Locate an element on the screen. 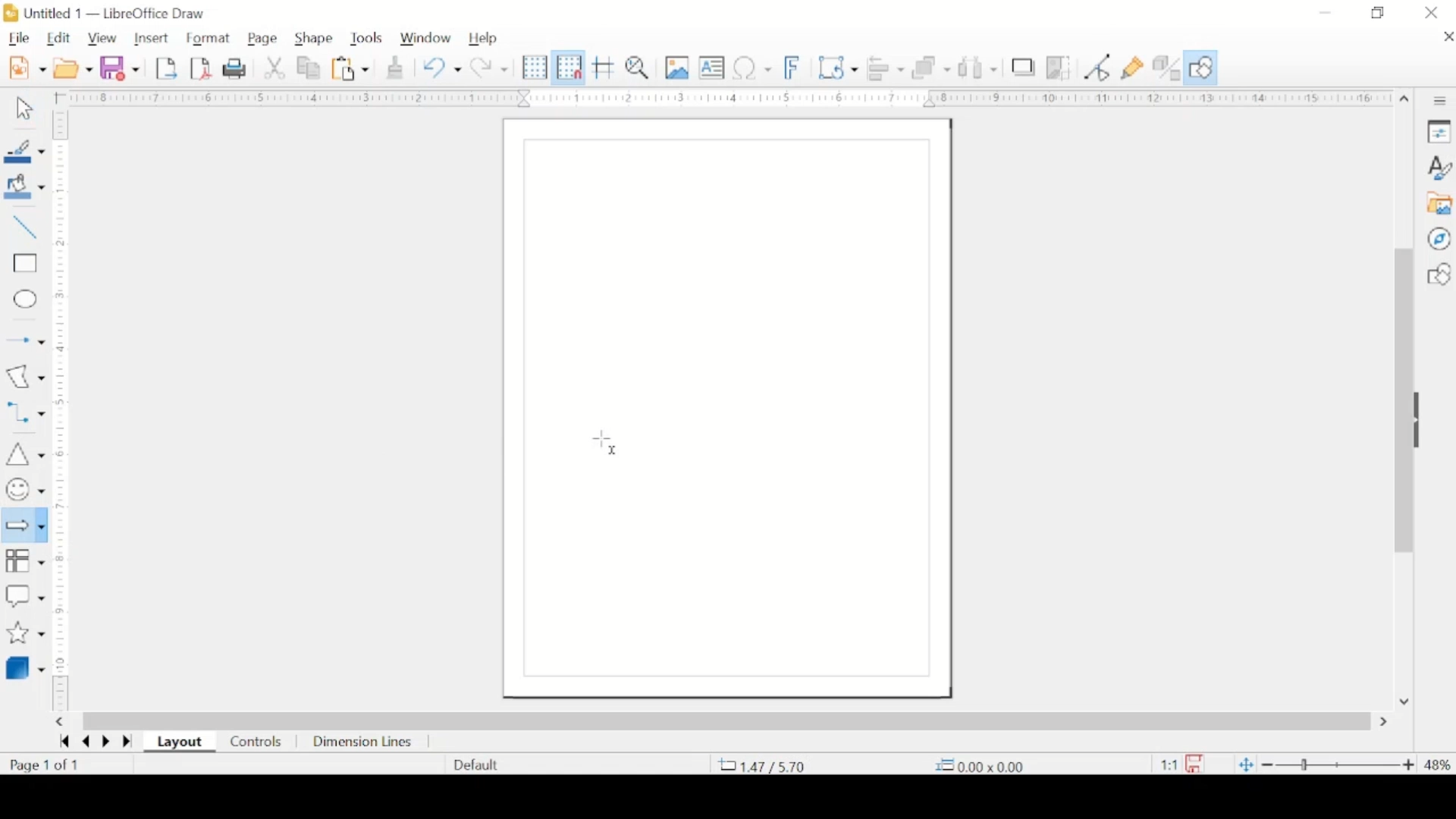 The image size is (1456, 819). default is located at coordinates (477, 764).